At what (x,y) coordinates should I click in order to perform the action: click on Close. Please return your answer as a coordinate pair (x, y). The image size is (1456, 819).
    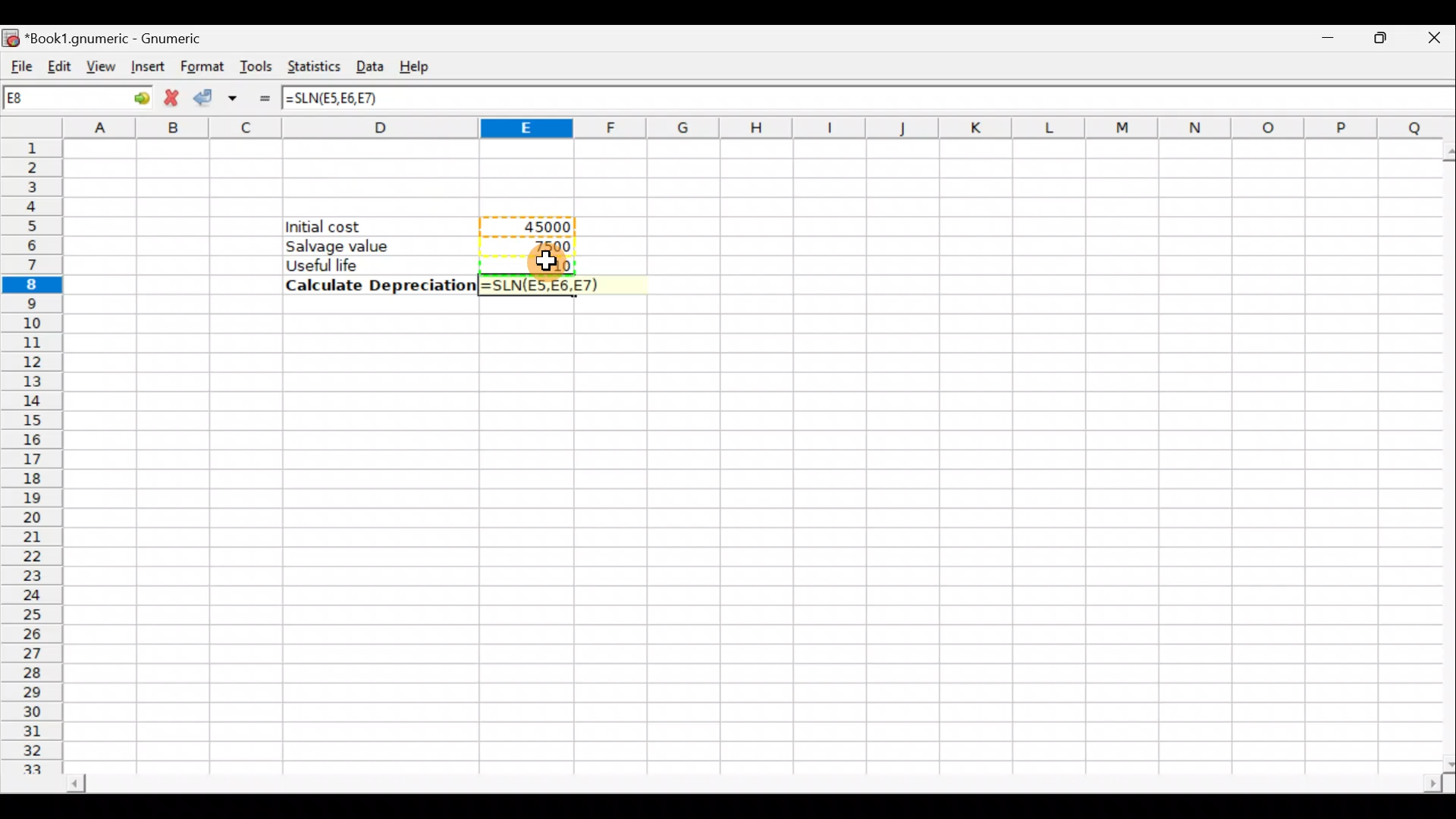
    Looking at the image, I should click on (1425, 42).